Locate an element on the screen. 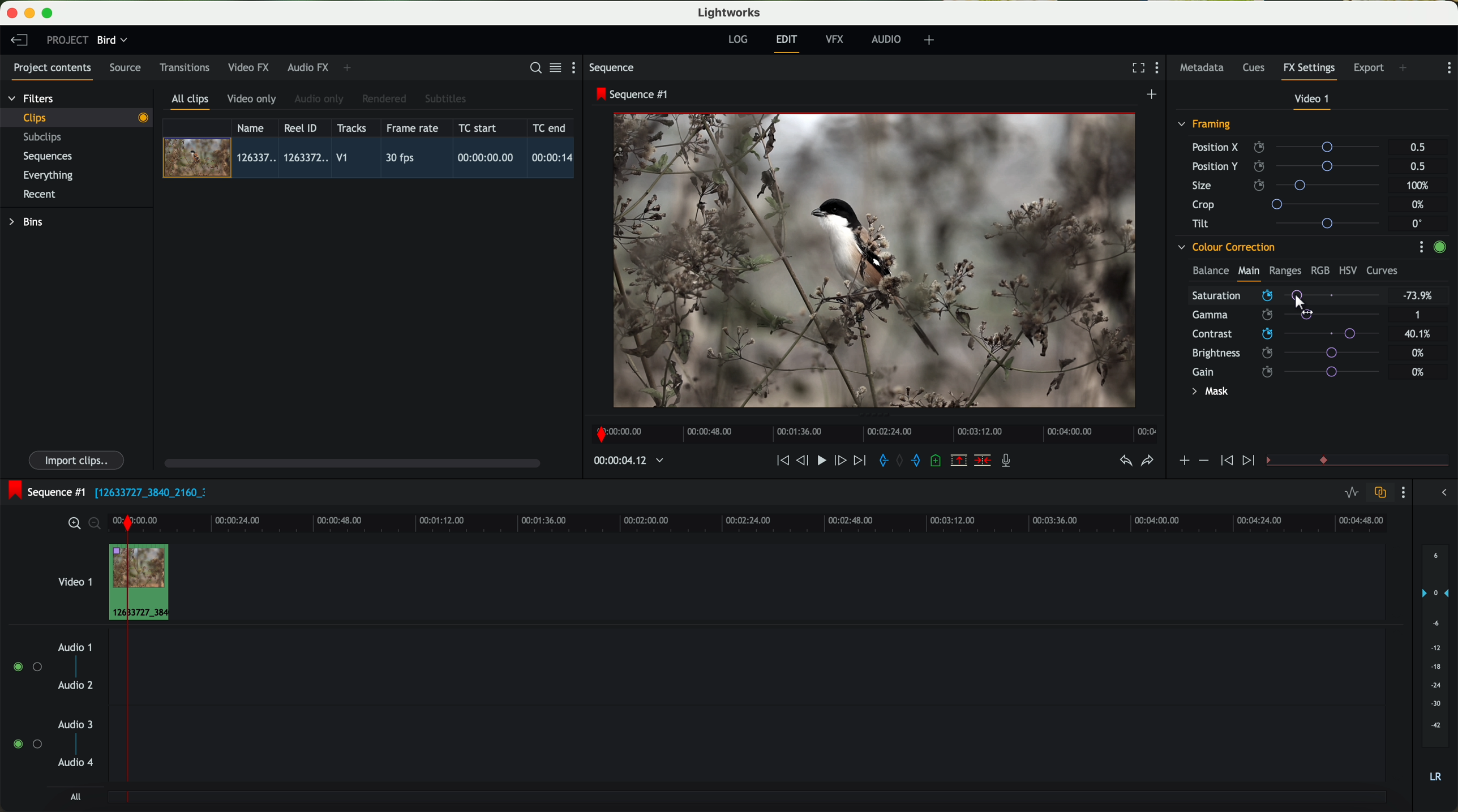 The image size is (1458, 812). video 1 is located at coordinates (1313, 101).